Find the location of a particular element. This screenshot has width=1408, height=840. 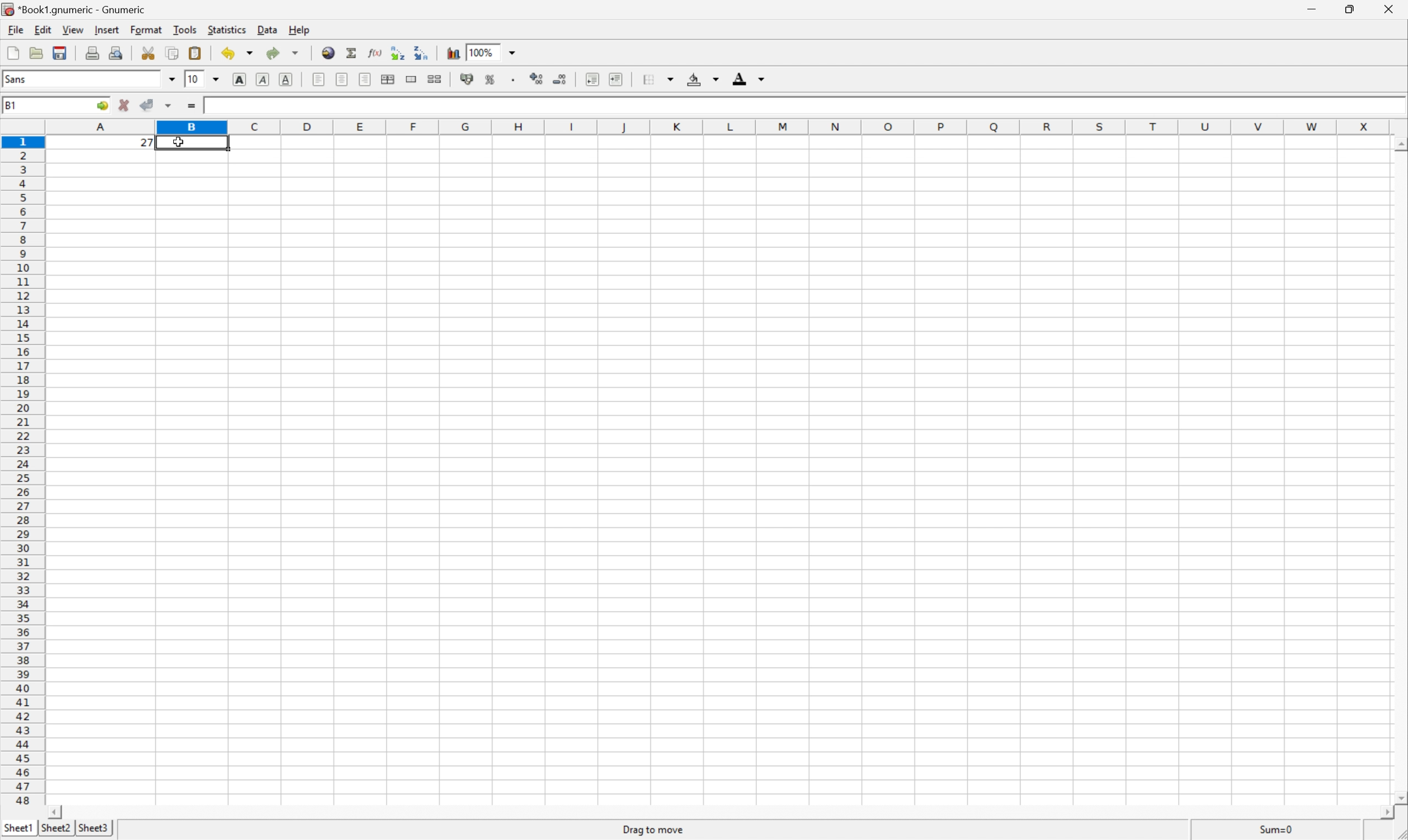

Drop Down is located at coordinates (219, 80).